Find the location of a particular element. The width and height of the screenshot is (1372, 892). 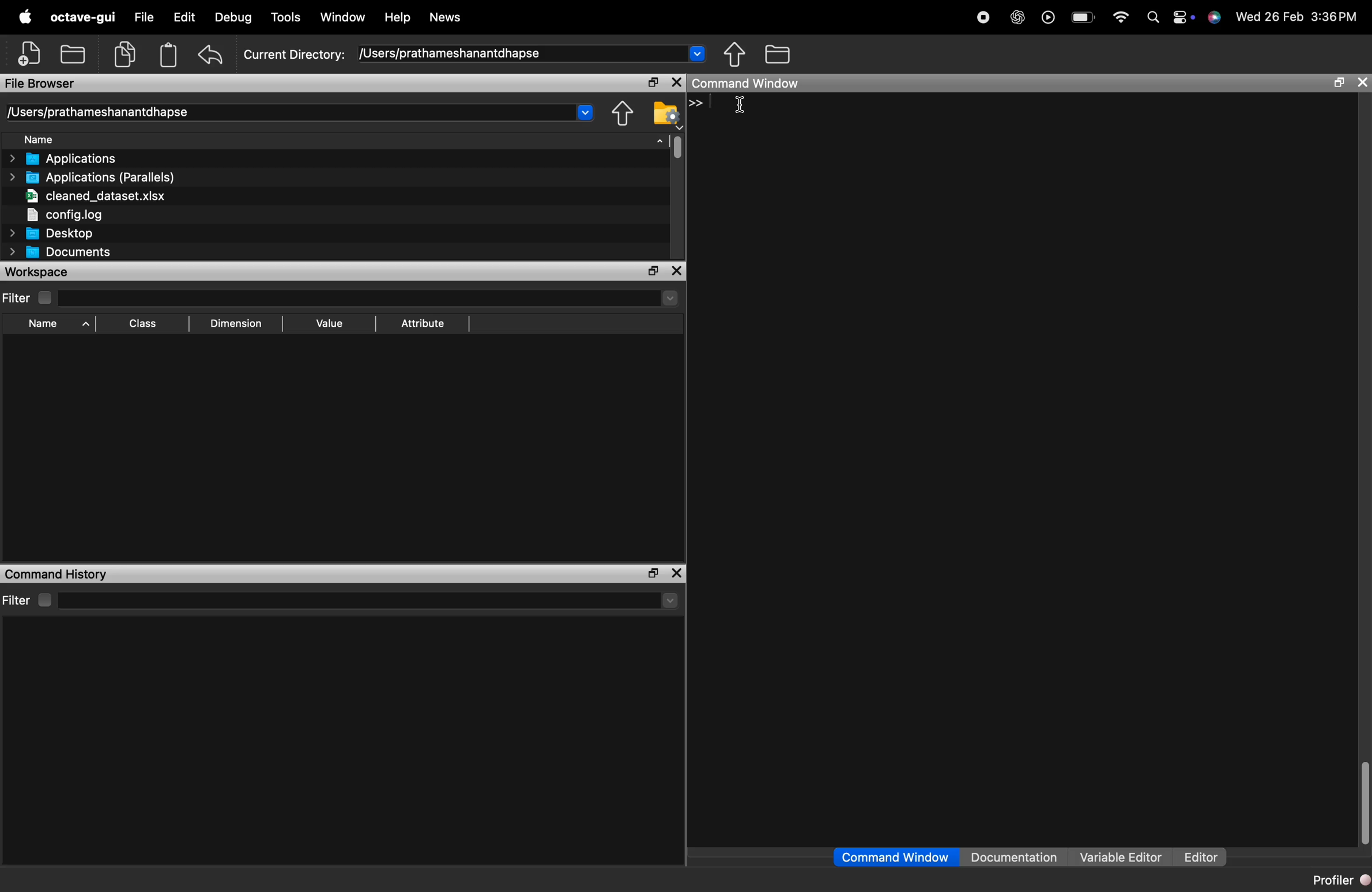

control center is located at coordinates (1185, 18).